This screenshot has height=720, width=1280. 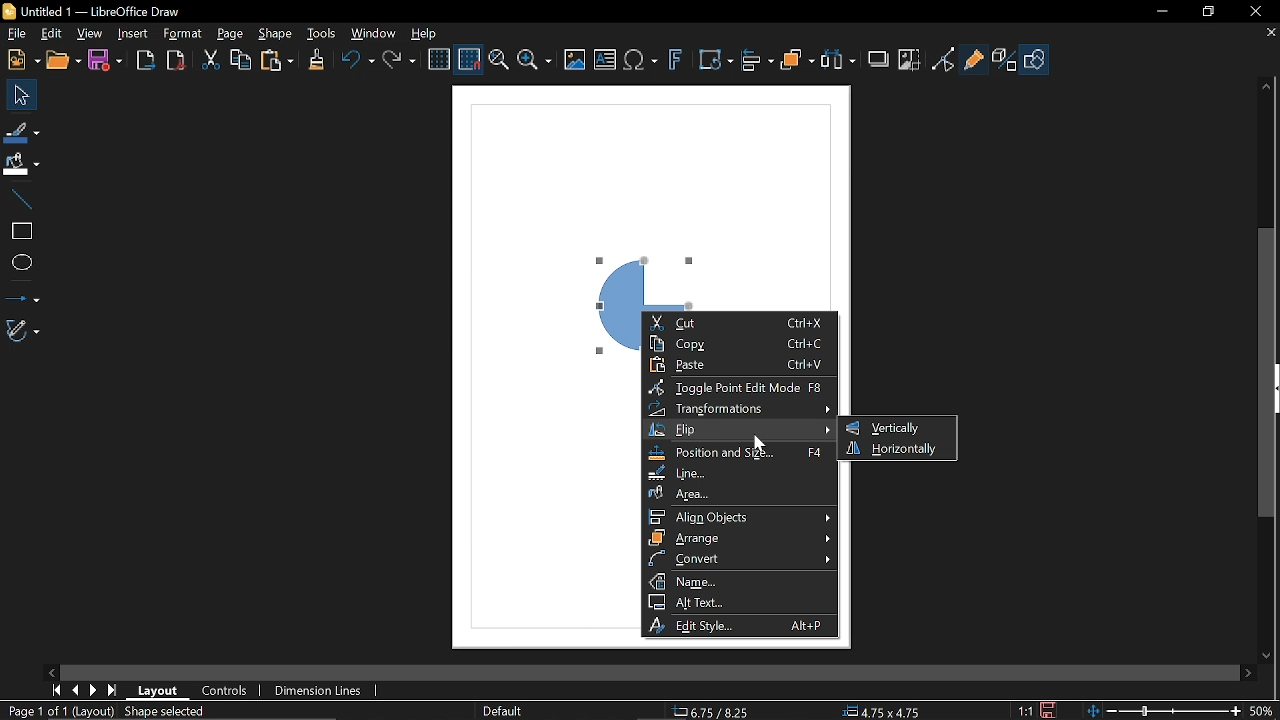 I want to click on Insert image, so click(x=576, y=59).